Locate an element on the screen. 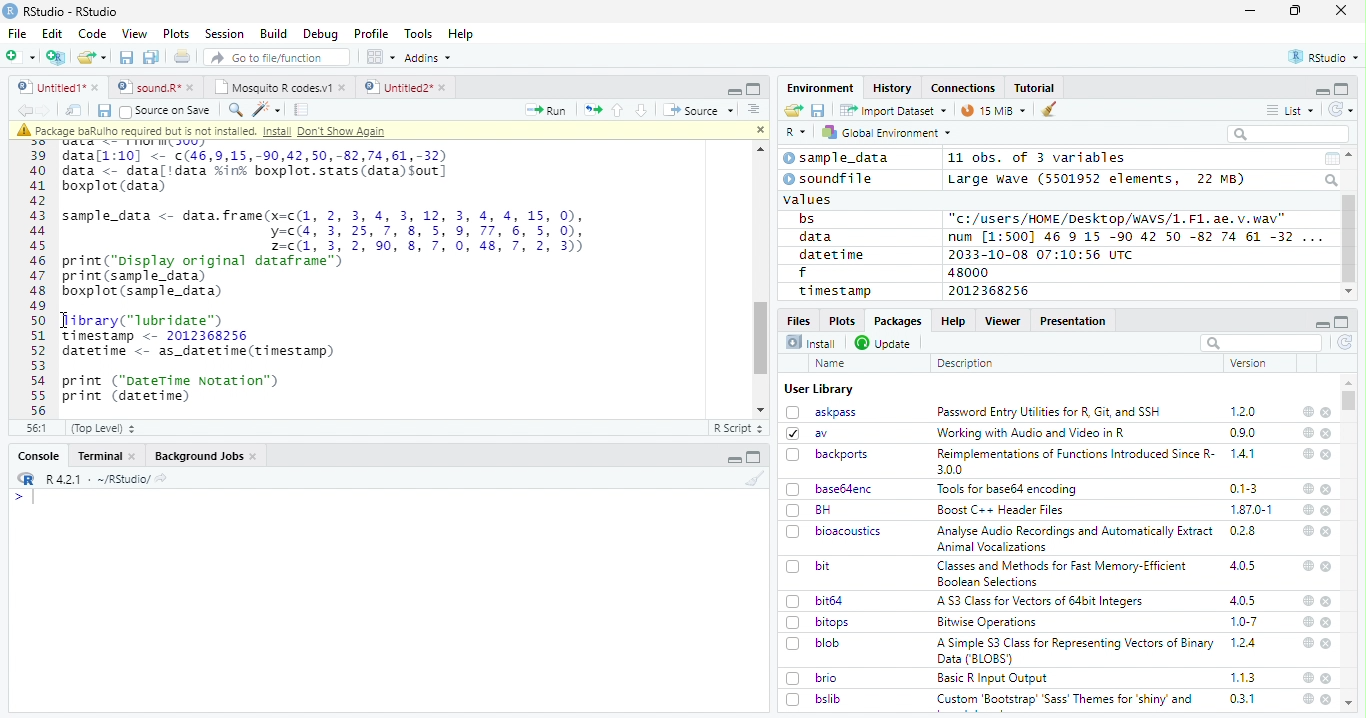 This screenshot has height=718, width=1366. BH is located at coordinates (811, 510).